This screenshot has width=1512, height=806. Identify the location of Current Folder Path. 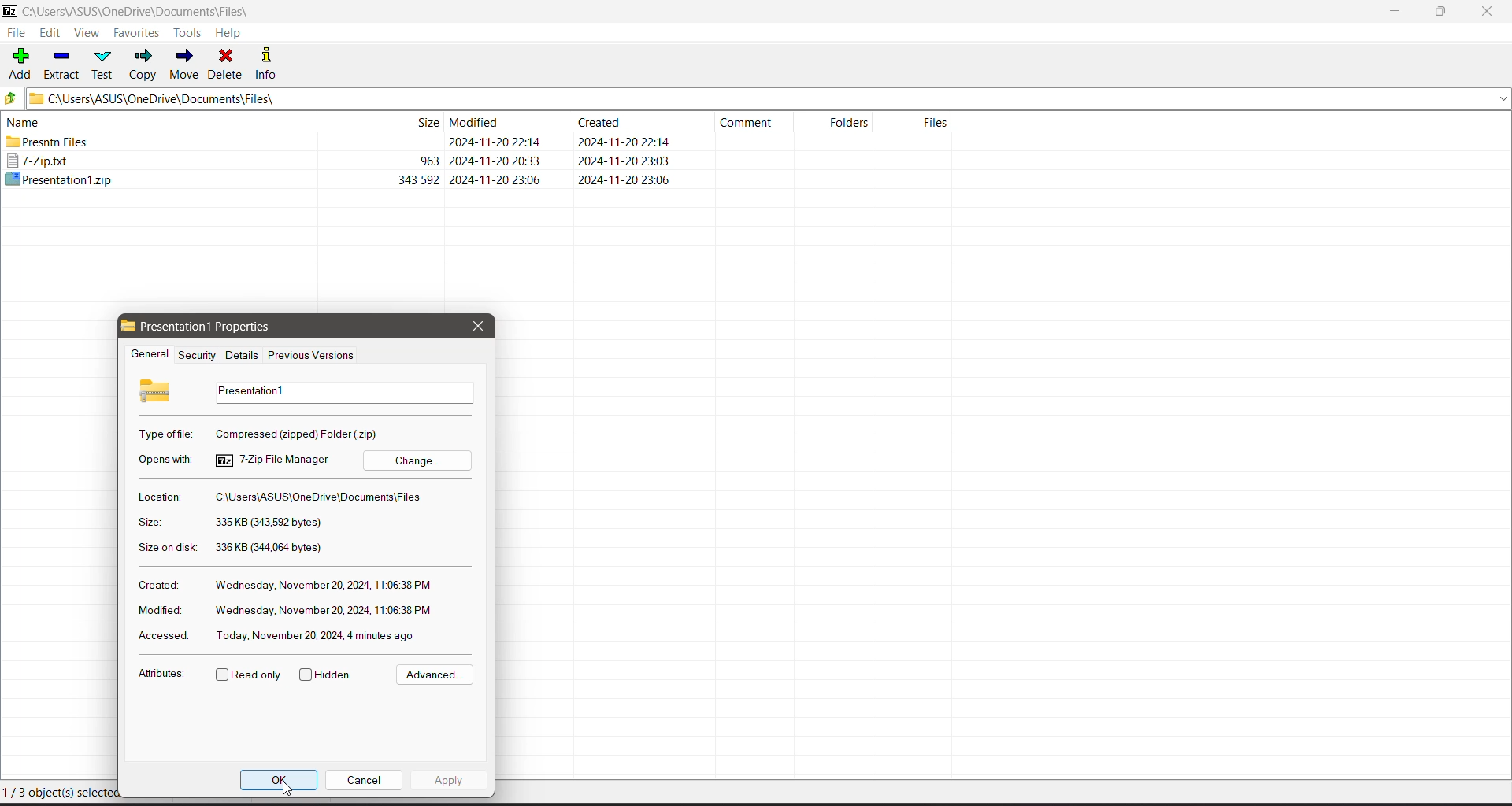
(148, 12).